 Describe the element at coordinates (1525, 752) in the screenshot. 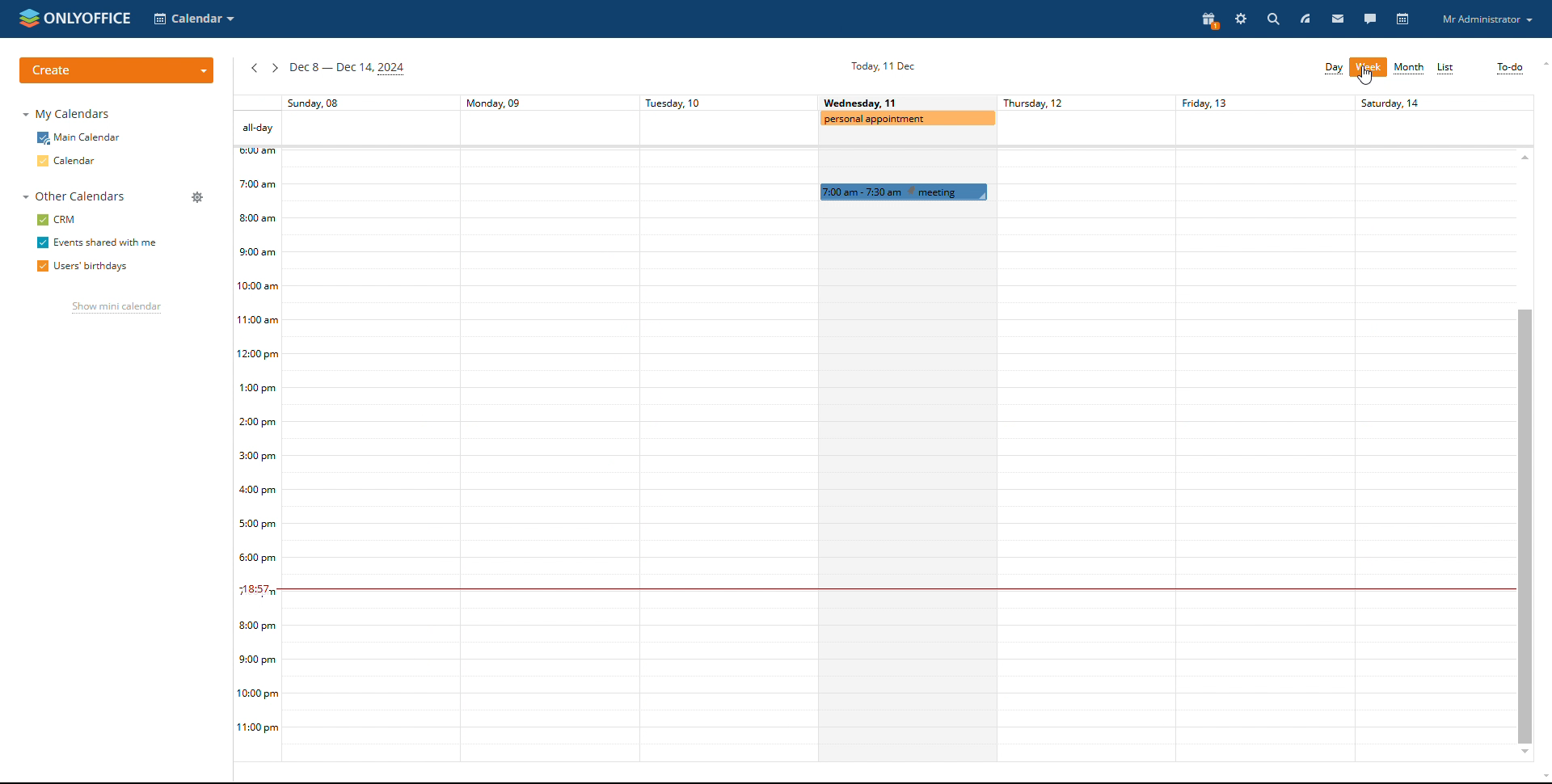

I see `scroll down` at that location.